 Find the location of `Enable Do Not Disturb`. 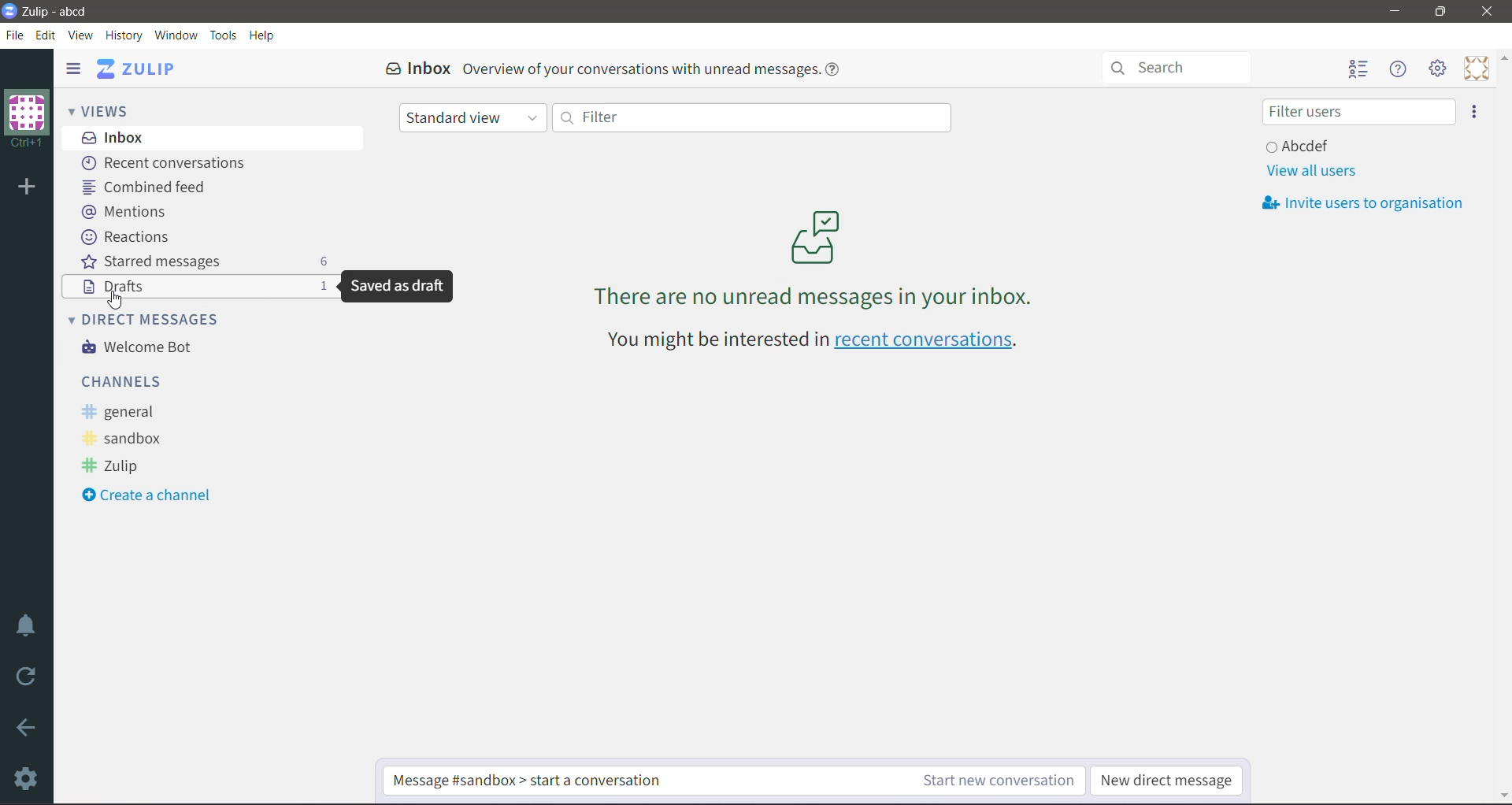

Enable Do Not Disturb is located at coordinates (27, 625).